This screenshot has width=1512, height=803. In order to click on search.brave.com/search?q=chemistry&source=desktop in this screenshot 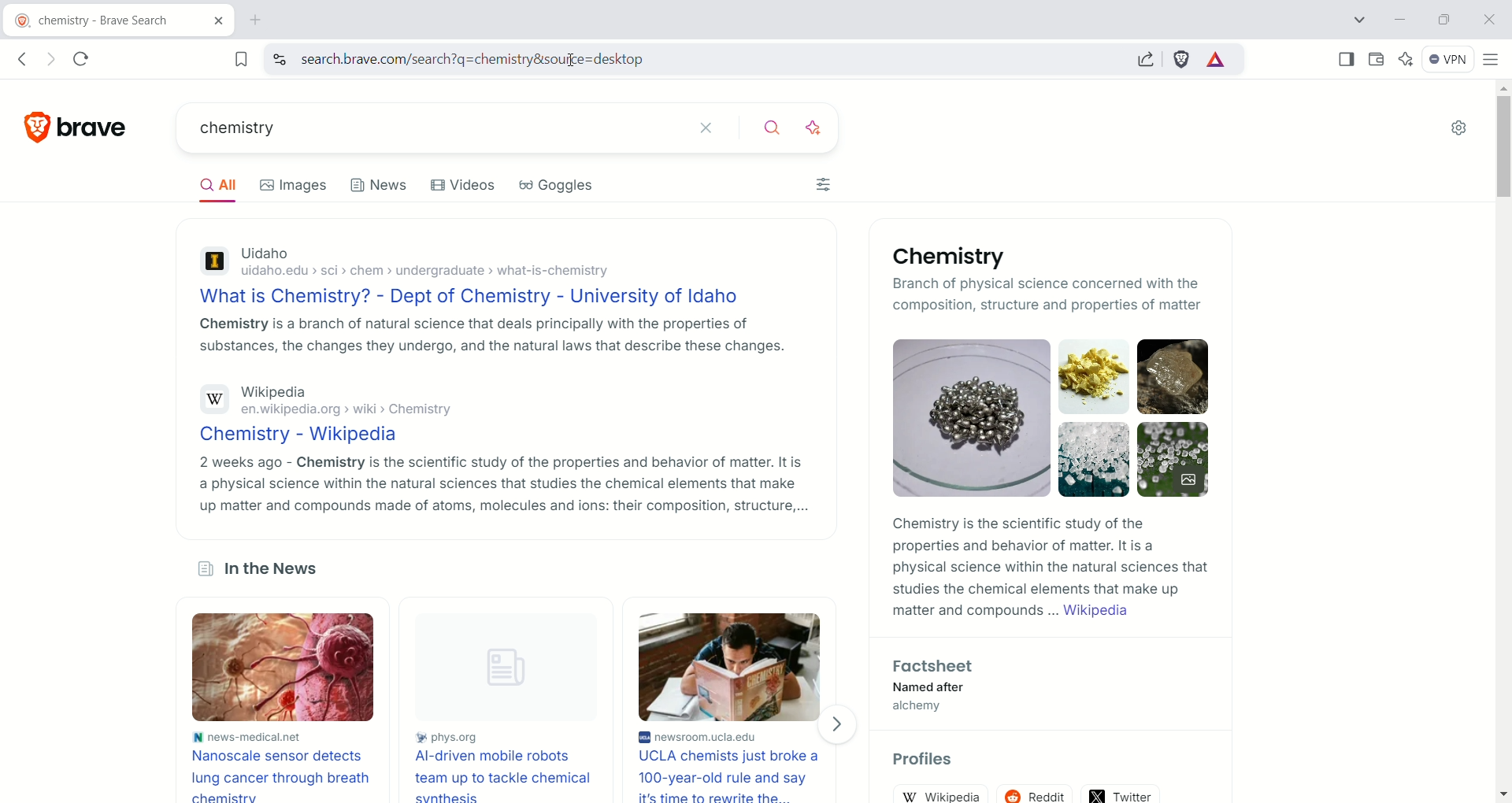, I will do `click(688, 61)`.